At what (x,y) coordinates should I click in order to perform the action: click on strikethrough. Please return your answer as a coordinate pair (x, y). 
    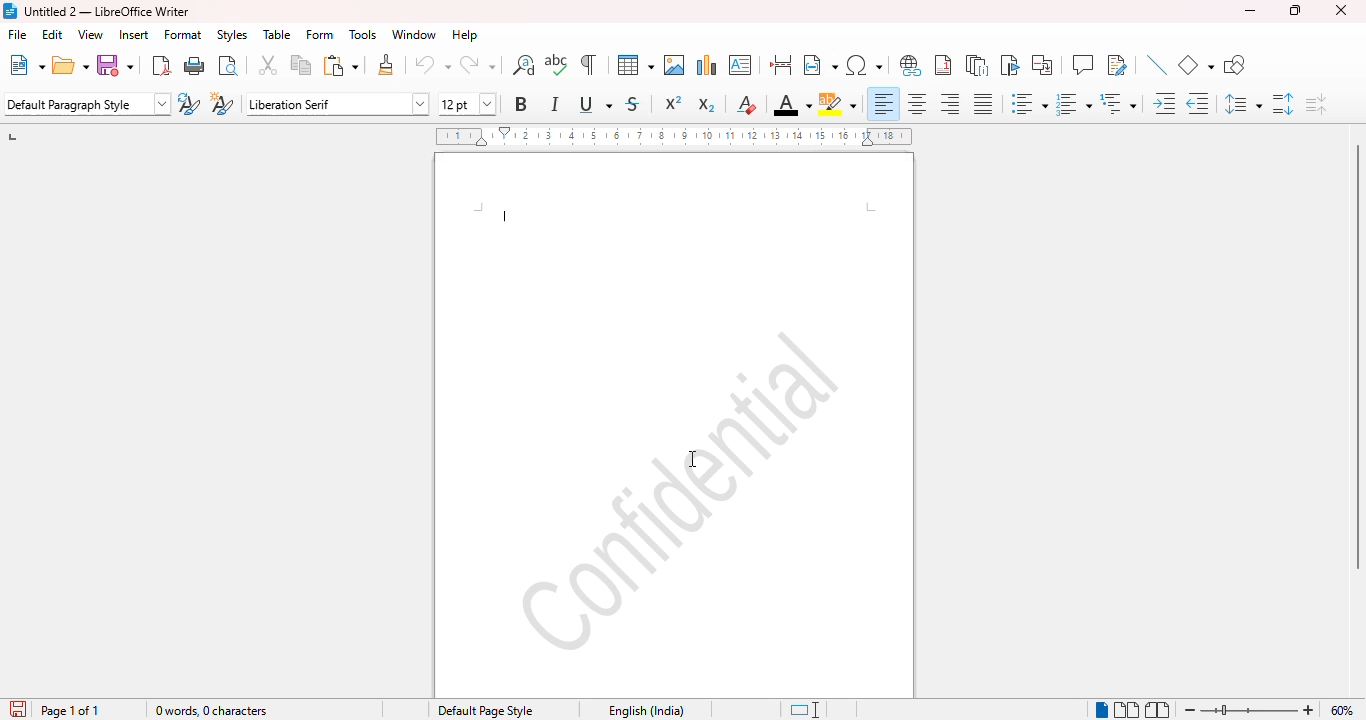
    Looking at the image, I should click on (632, 104).